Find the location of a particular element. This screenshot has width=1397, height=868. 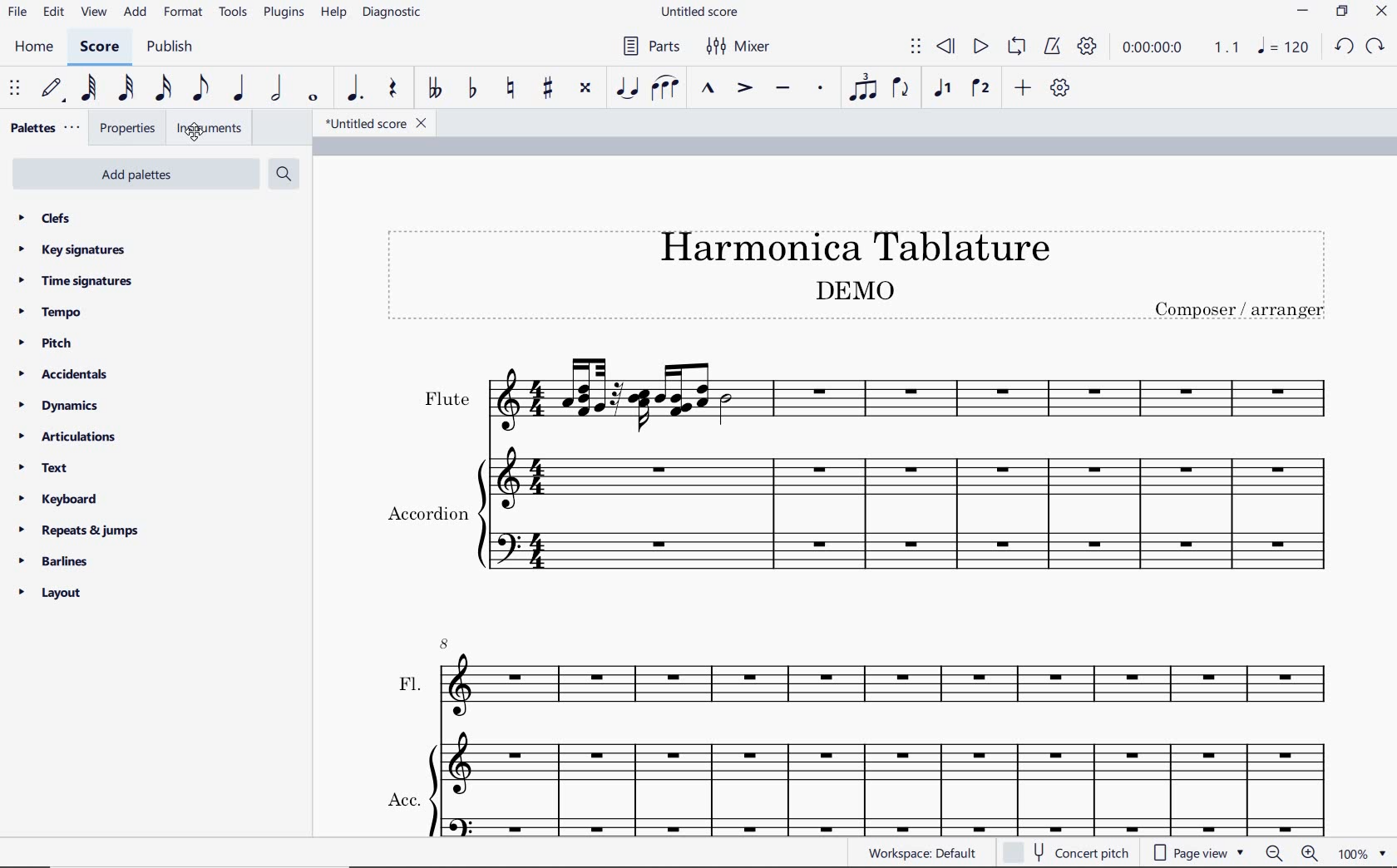

FILE NAME is located at coordinates (698, 13).